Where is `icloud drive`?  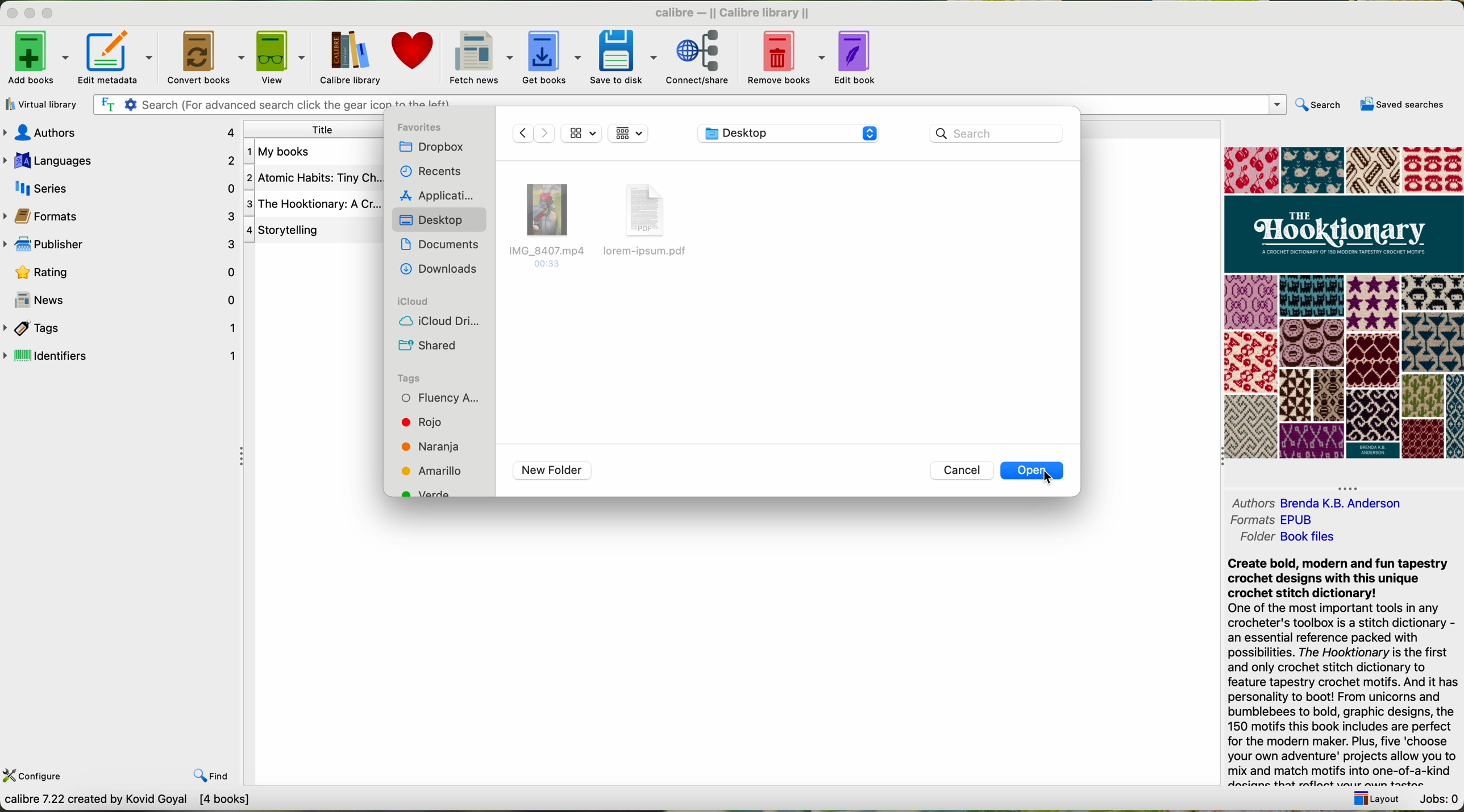 icloud drive is located at coordinates (444, 324).